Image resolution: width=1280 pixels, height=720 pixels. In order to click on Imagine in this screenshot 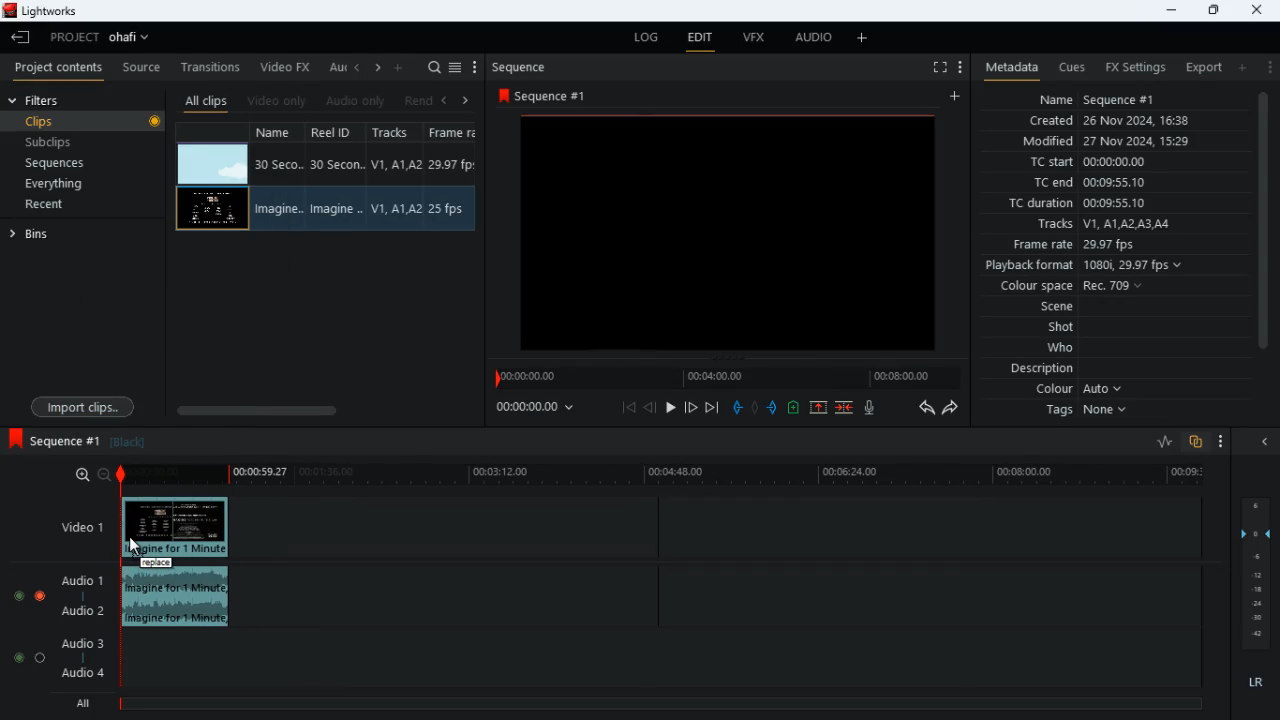, I will do `click(282, 208)`.